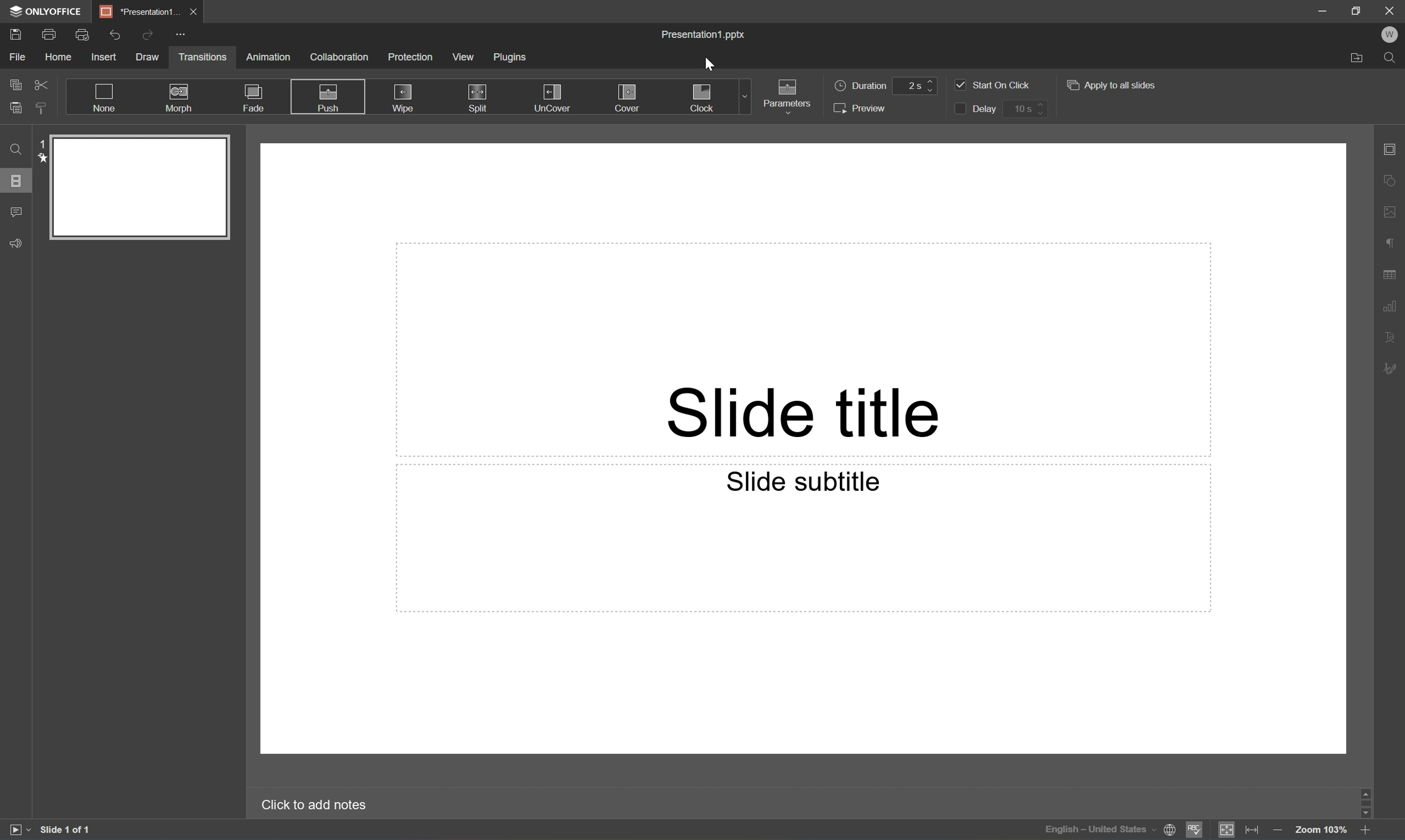 The image size is (1405, 840). Describe the element at coordinates (106, 55) in the screenshot. I see `Insert` at that location.